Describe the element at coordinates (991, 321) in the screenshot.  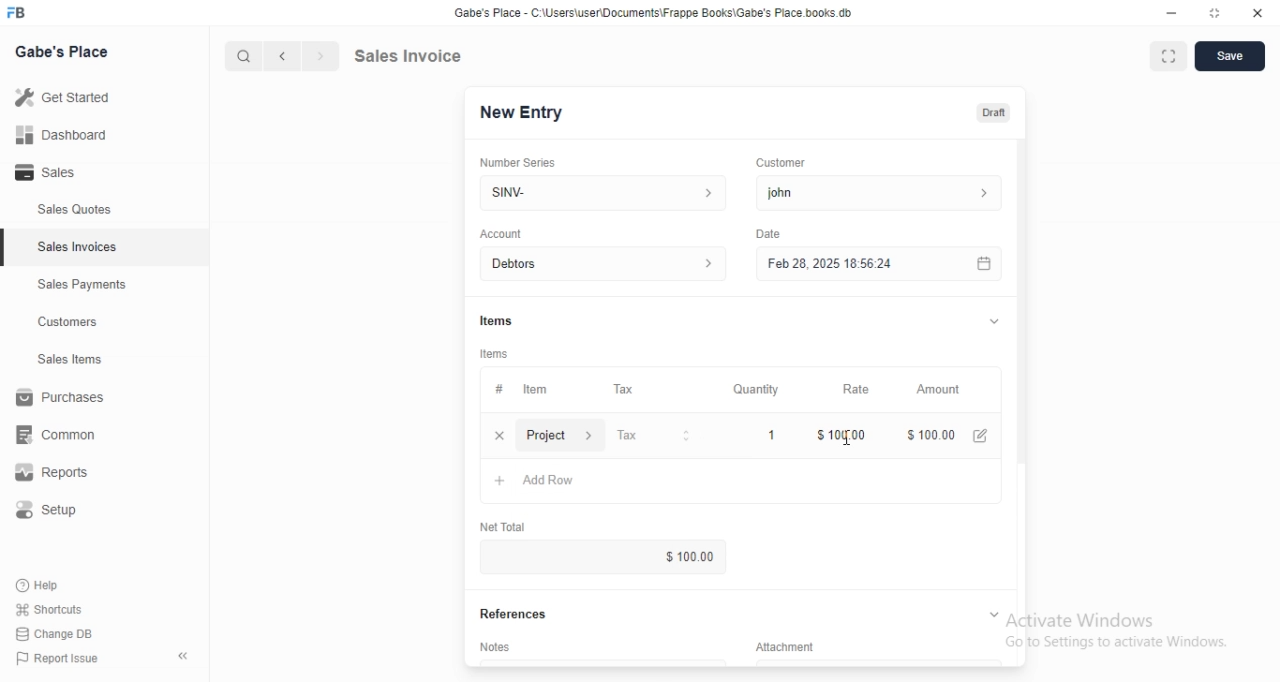
I see `collapse` at that location.